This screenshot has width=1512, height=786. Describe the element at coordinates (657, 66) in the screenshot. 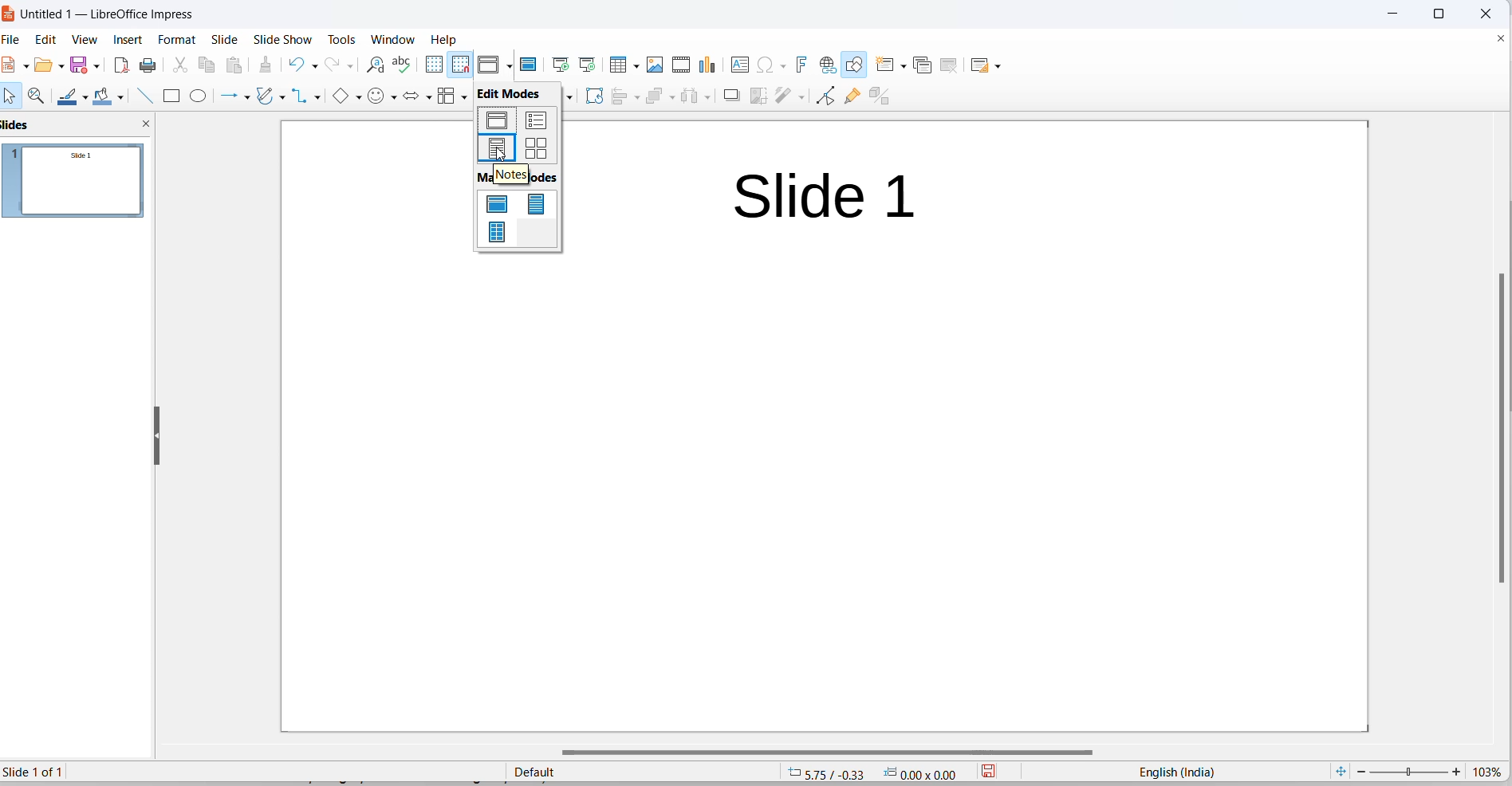

I see `insert images` at that location.